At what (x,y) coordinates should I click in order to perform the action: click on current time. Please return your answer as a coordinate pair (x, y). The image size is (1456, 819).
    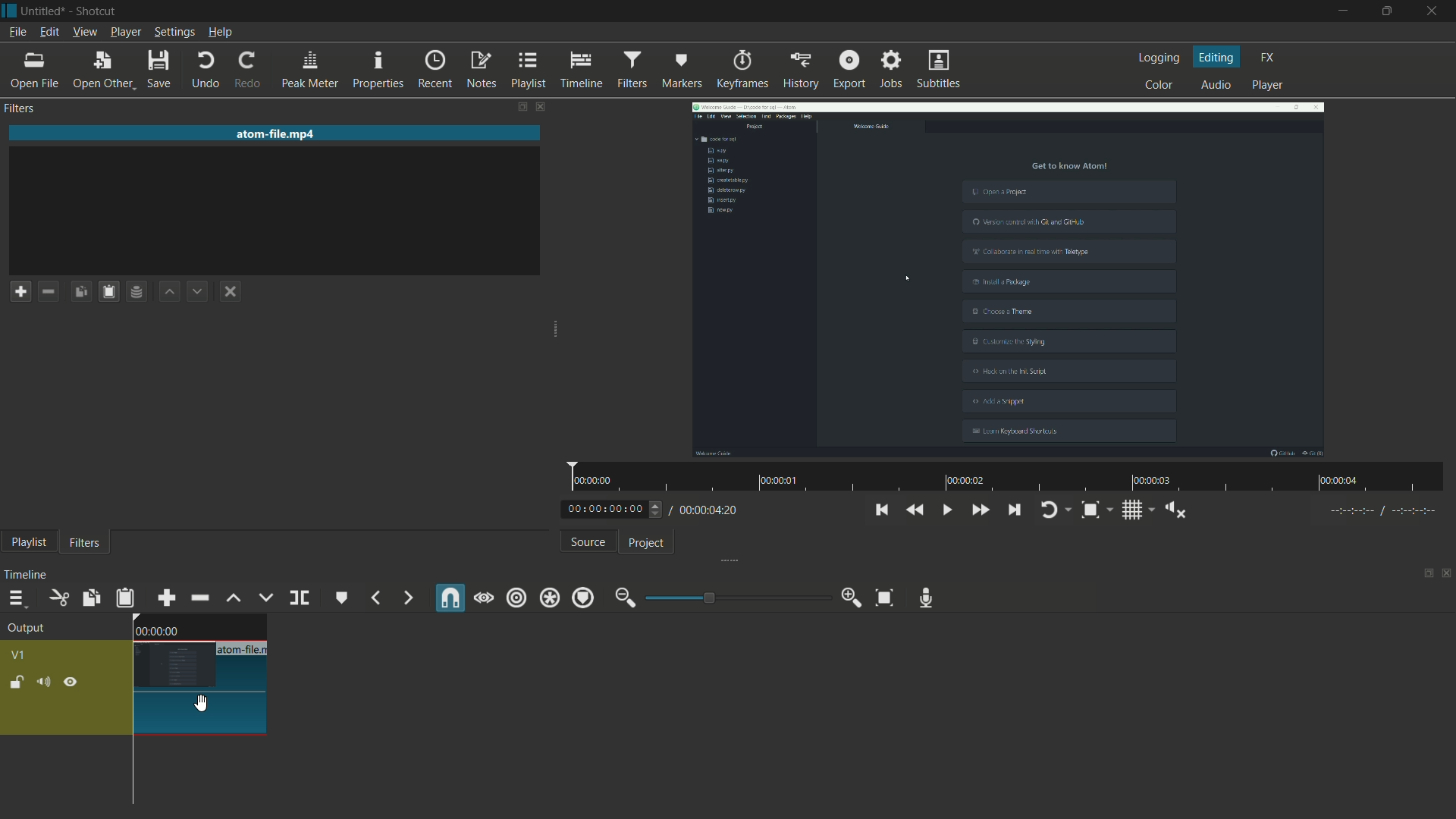
    Looking at the image, I should click on (605, 508).